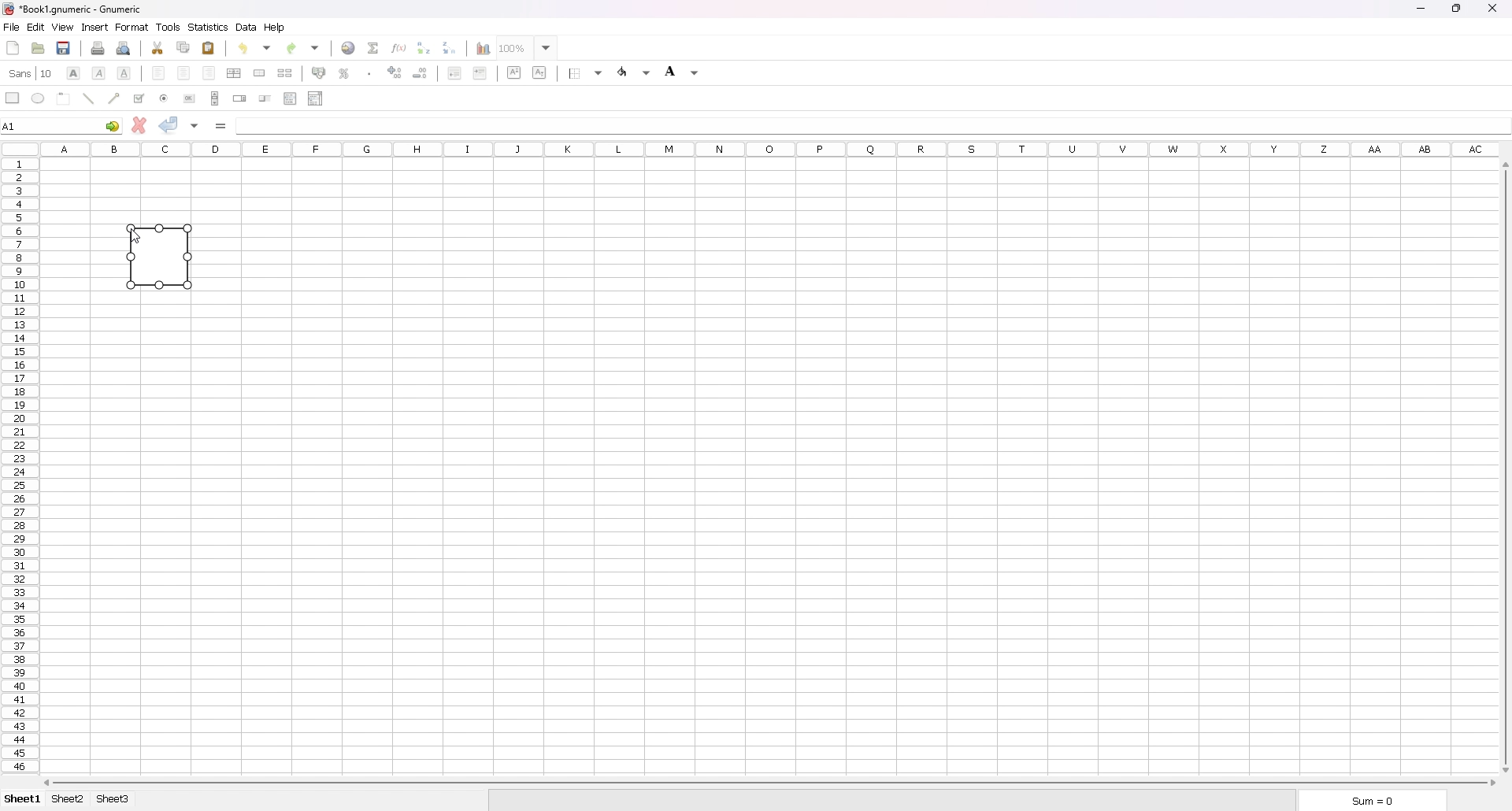  Describe the element at coordinates (374, 47) in the screenshot. I see `summation` at that location.